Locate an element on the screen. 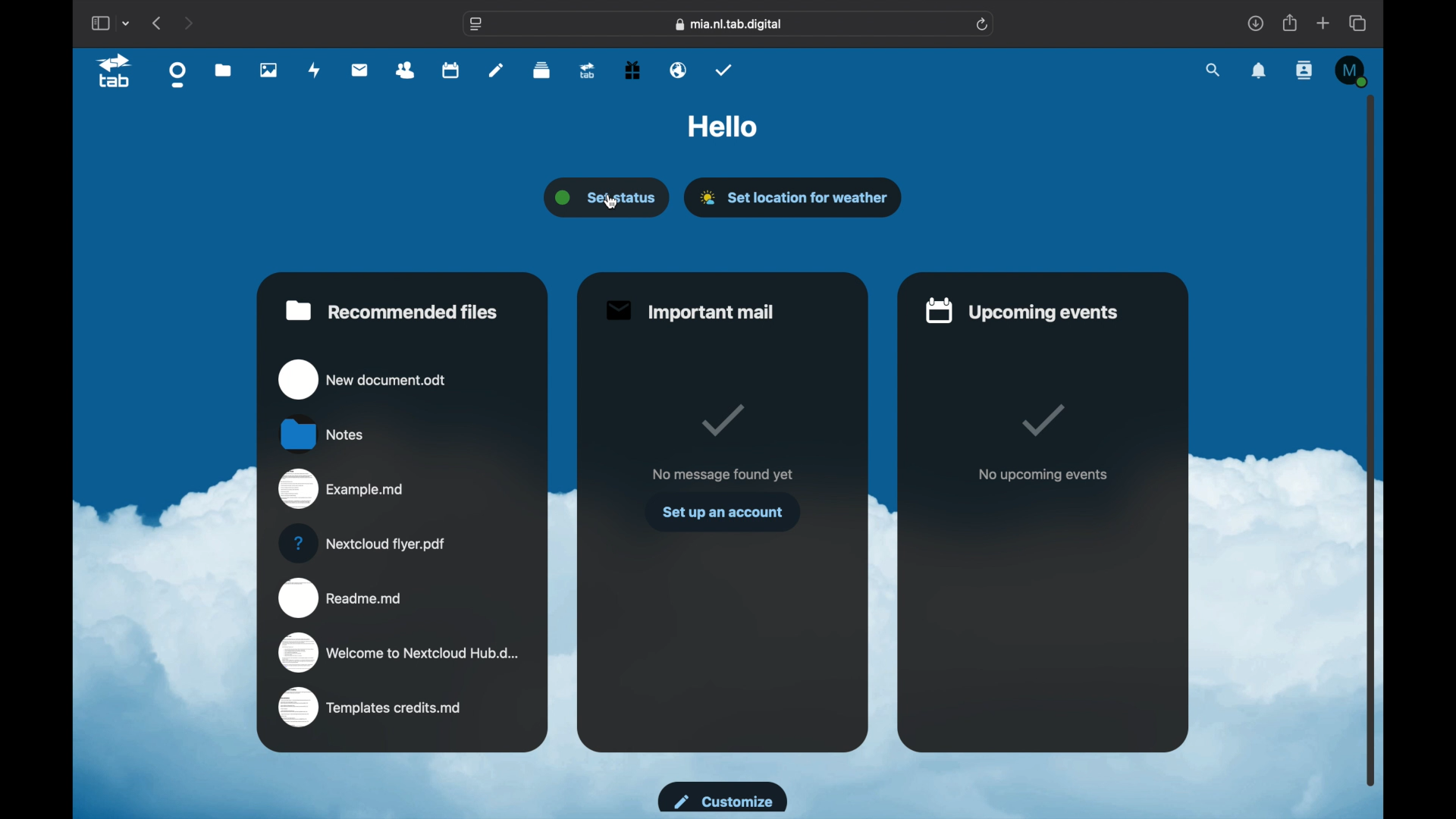 The image size is (1456, 819). upcoming events is located at coordinates (1020, 310).